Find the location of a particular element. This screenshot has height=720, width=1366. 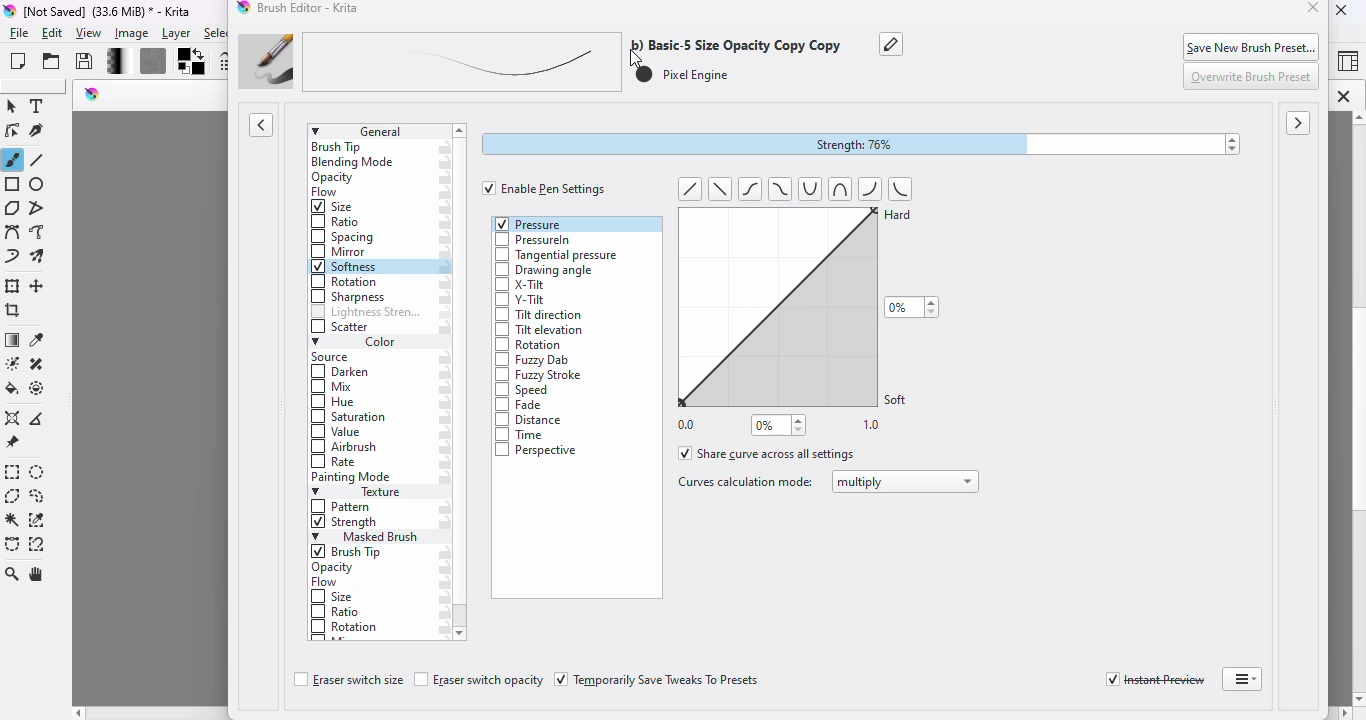

line tool is located at coordinates (40, 160).